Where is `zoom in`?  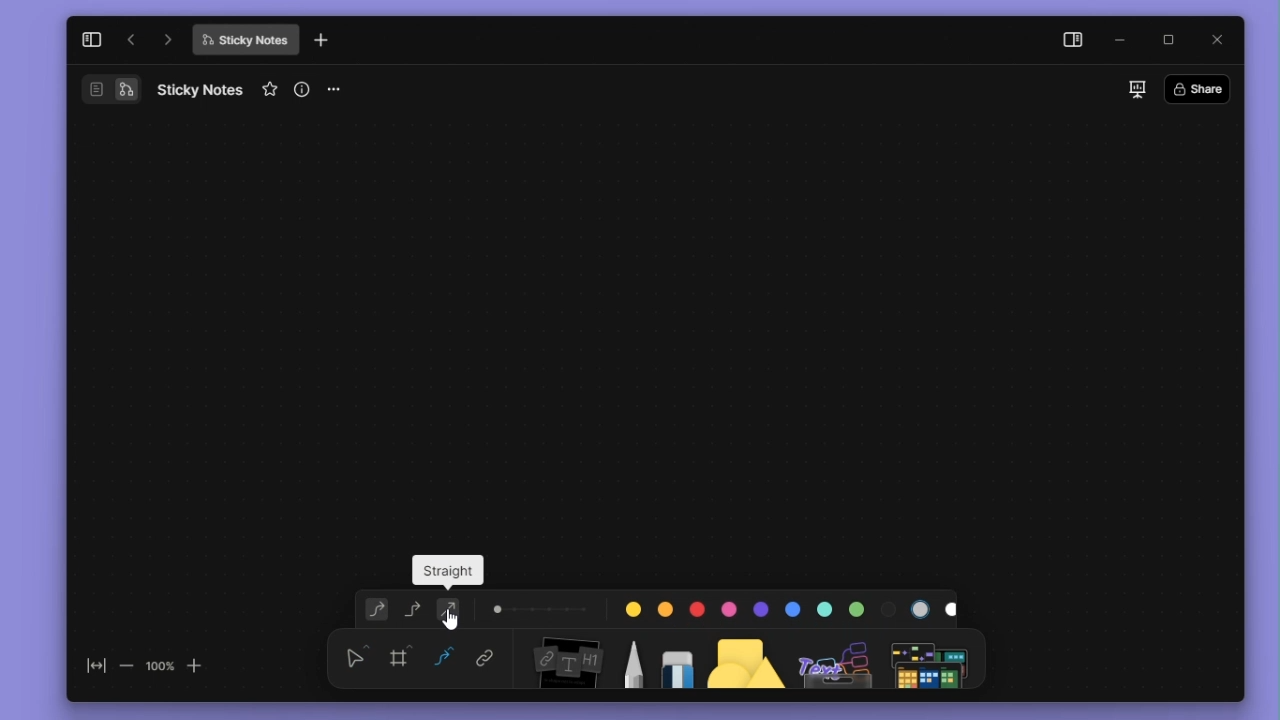 zoom in is located at coordinates (196, 664).